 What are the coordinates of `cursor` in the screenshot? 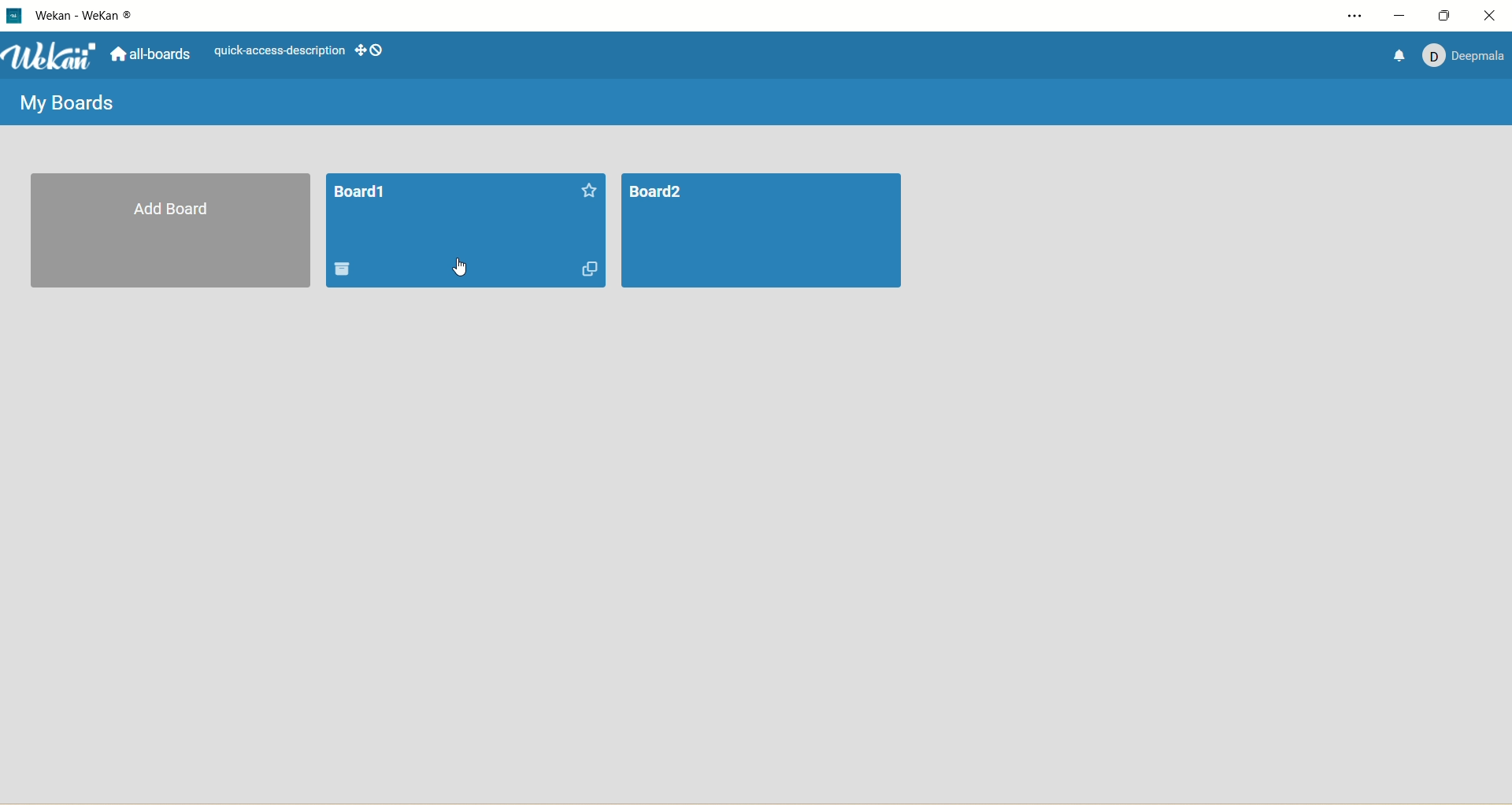 It's located at (464, 270).